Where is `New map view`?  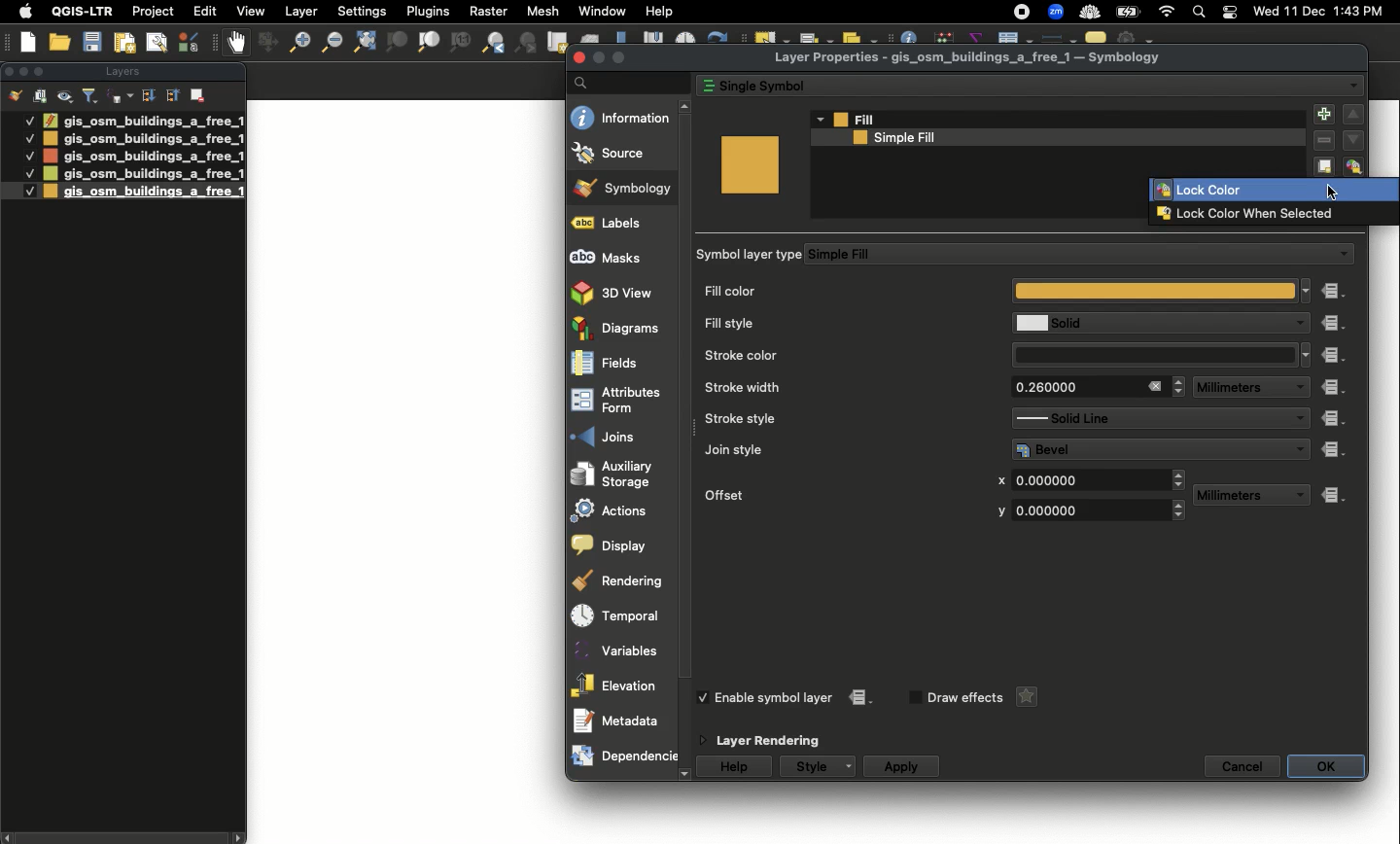
New map view is located at coordinates (556, 43).